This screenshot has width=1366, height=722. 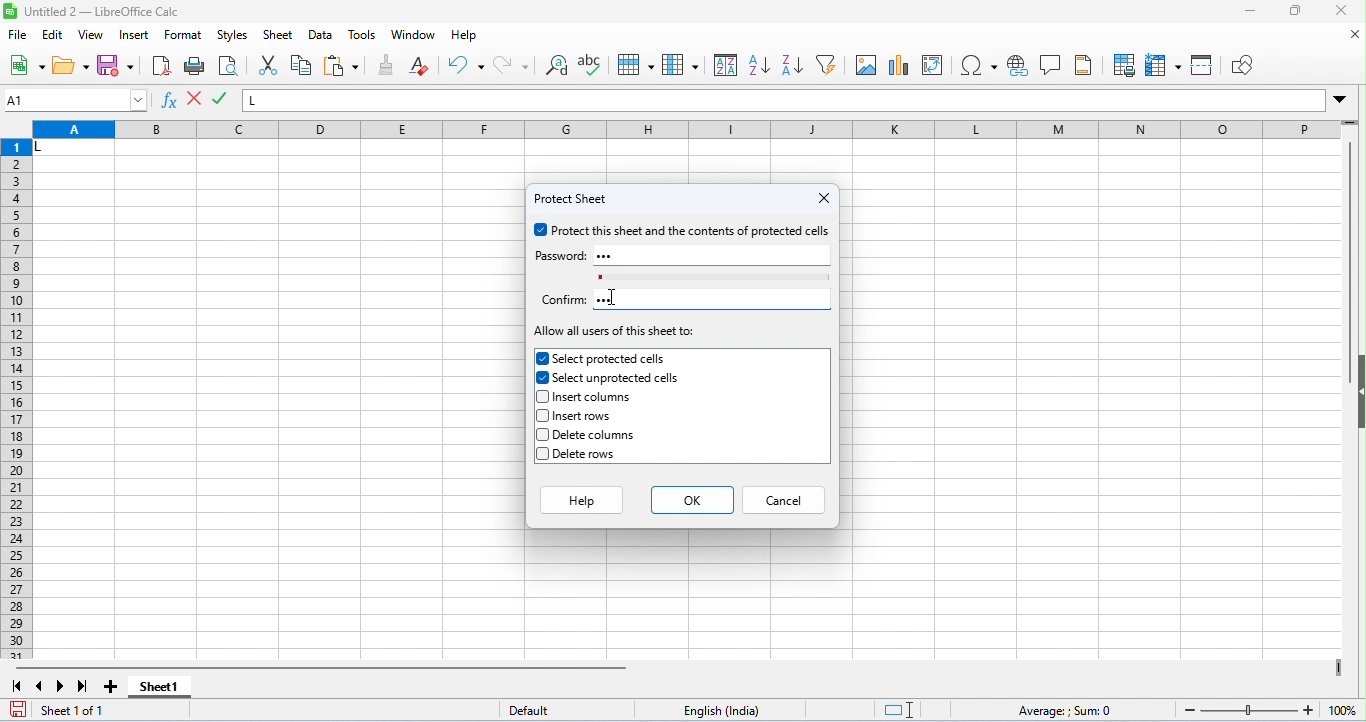 What do you see at coordinates (1250, 12) in the screenshot?
I see `minimize` at bounding box center [1250, 12].